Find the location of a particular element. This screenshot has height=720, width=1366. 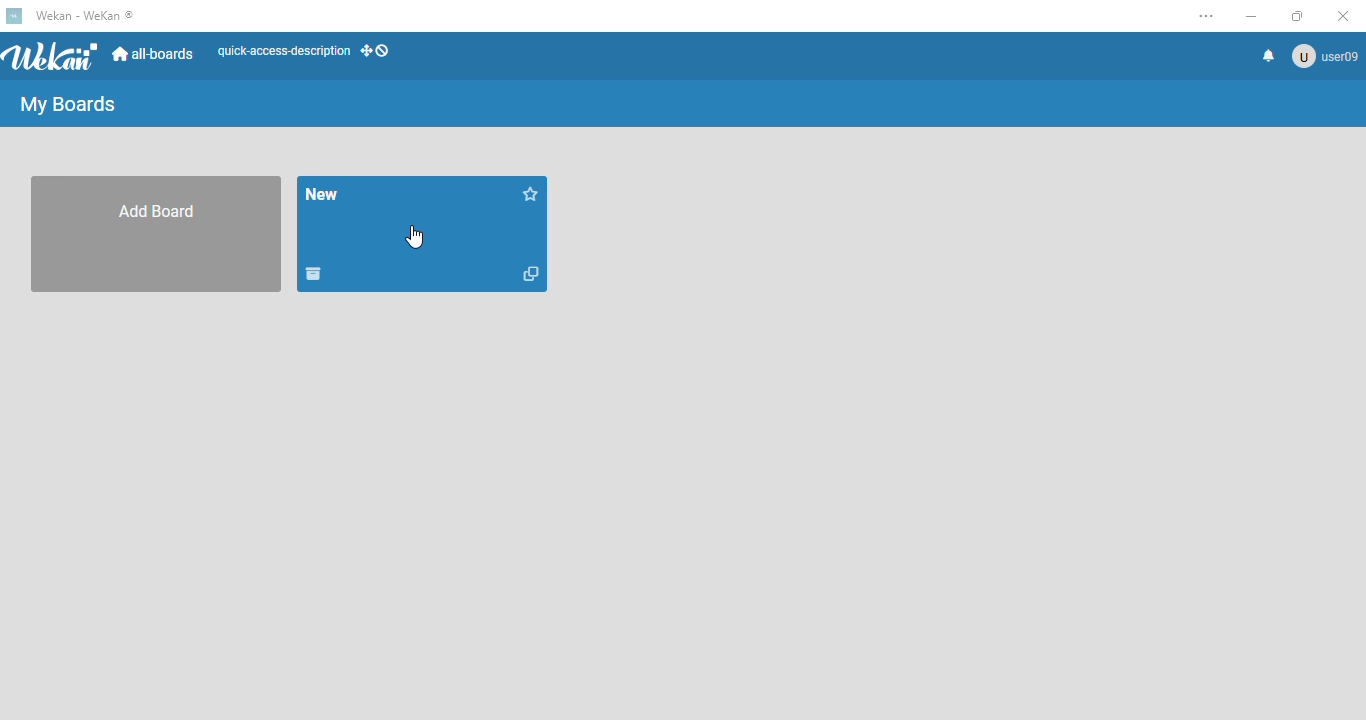

maximize is located at coordinates (1297, 16).